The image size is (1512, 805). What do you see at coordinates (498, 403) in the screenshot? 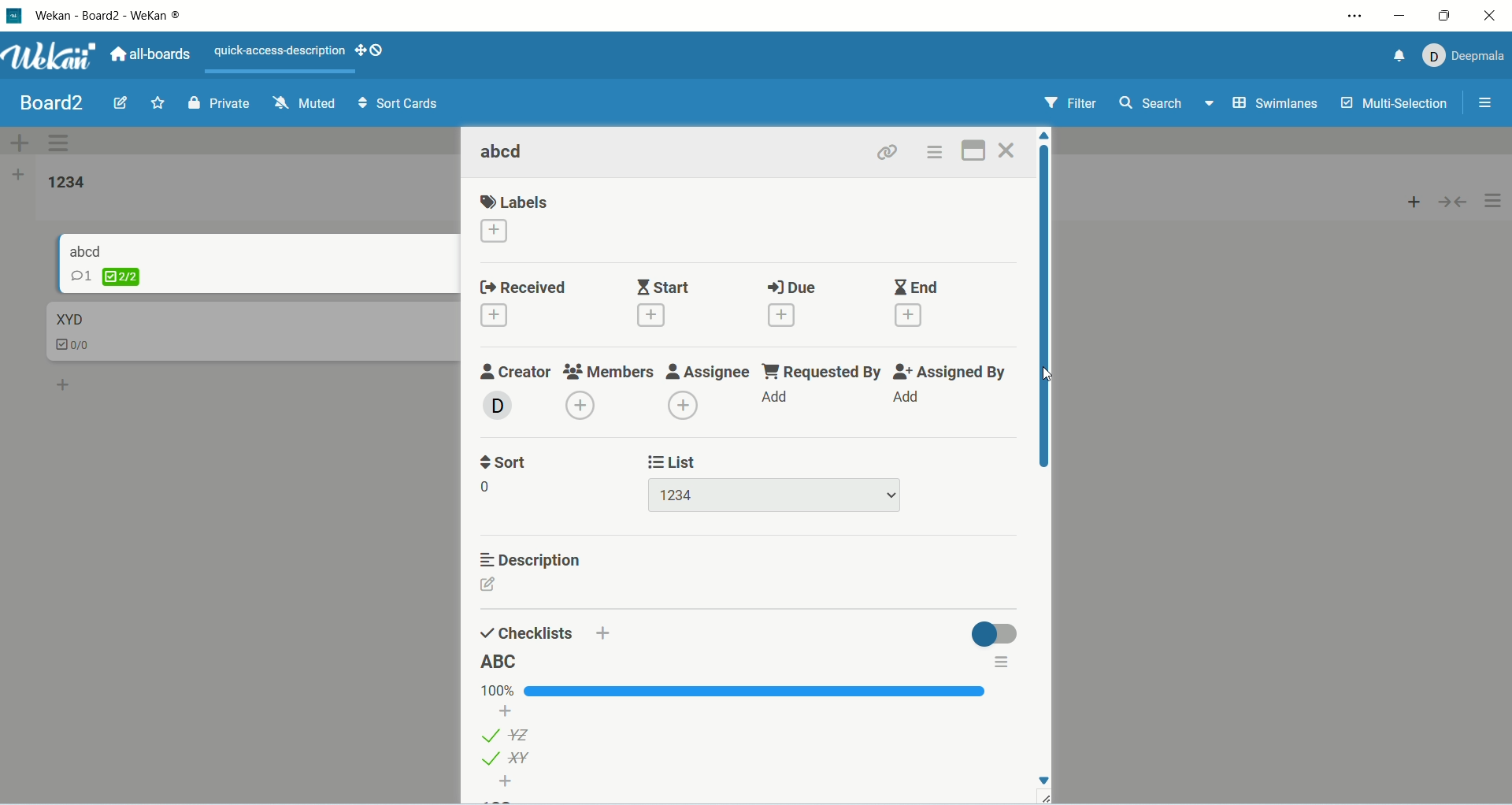
I see `add` at bounding box center [498, 403].